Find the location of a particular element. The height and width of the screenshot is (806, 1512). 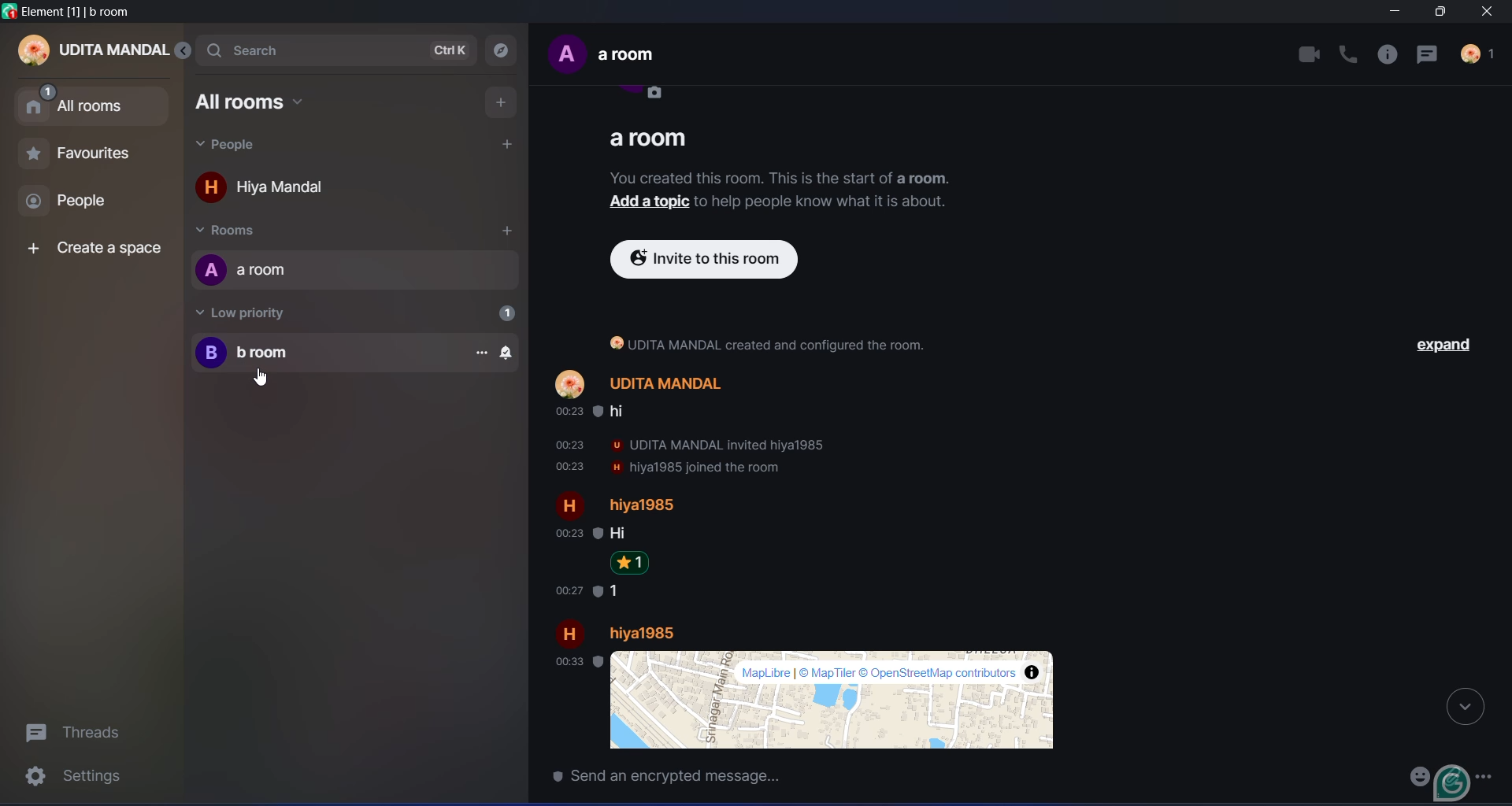

@ People is located at coordinates (82, 203).